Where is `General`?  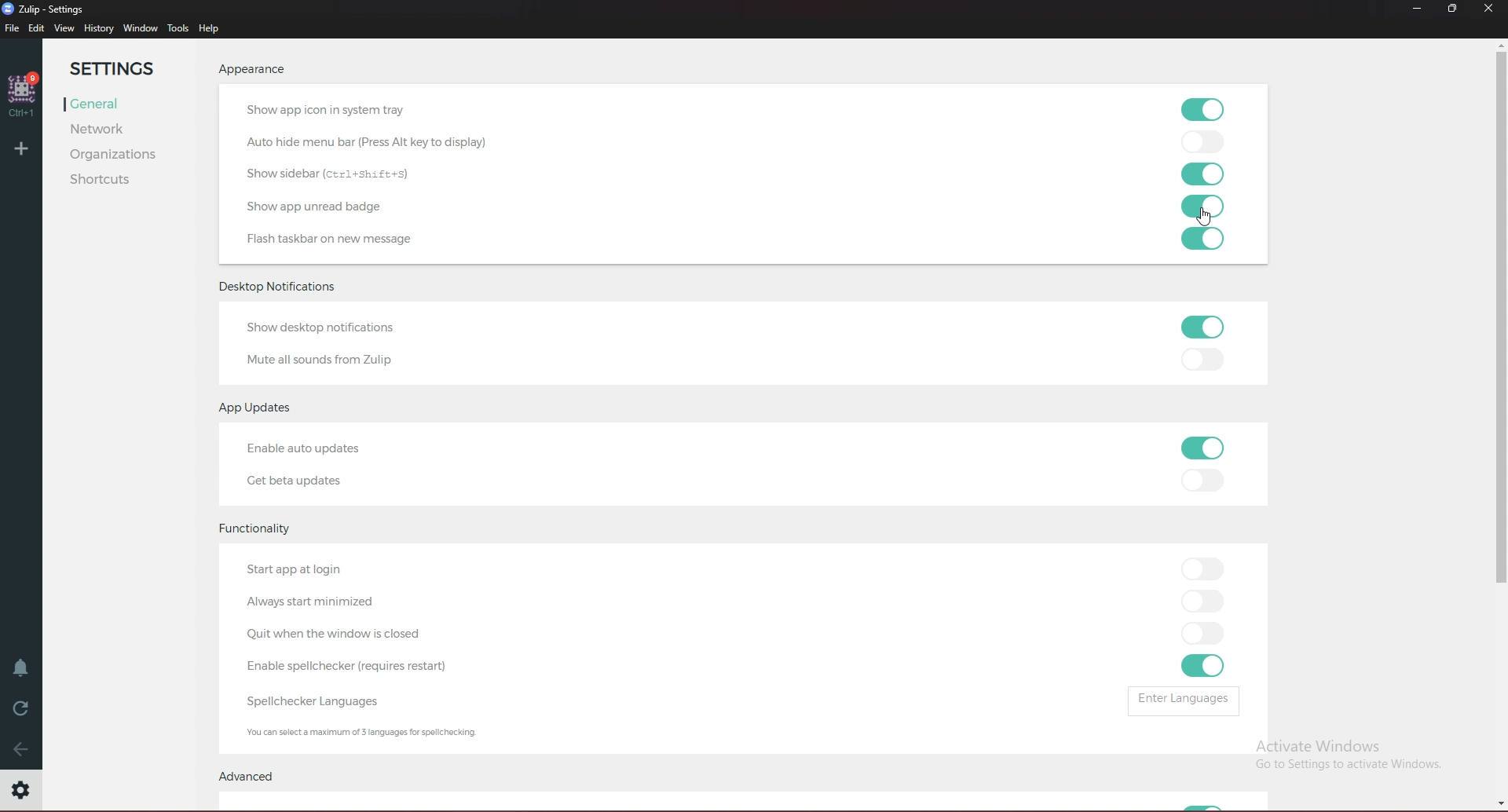 General is located at coordinates (120, 104).